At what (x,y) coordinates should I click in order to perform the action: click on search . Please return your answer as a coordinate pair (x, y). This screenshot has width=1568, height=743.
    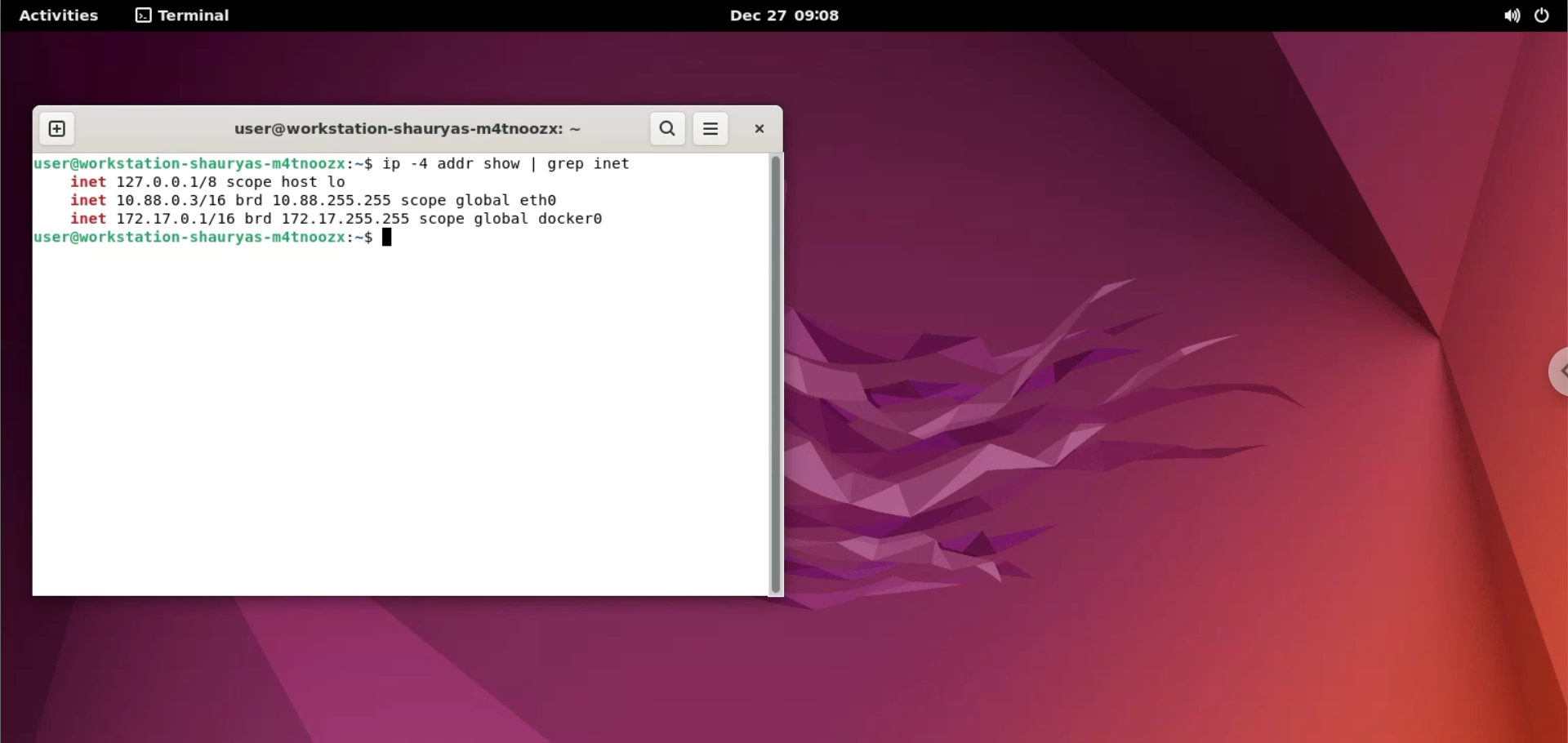
    Looking at the image, I should click on (667, 128).